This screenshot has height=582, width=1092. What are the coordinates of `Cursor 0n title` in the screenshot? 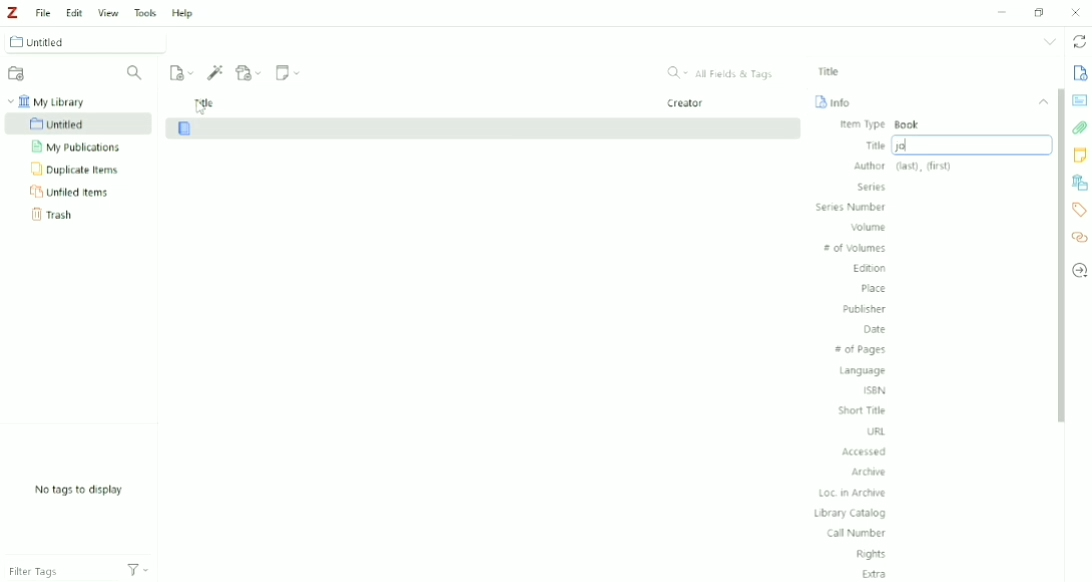 It's located at (202, 110).